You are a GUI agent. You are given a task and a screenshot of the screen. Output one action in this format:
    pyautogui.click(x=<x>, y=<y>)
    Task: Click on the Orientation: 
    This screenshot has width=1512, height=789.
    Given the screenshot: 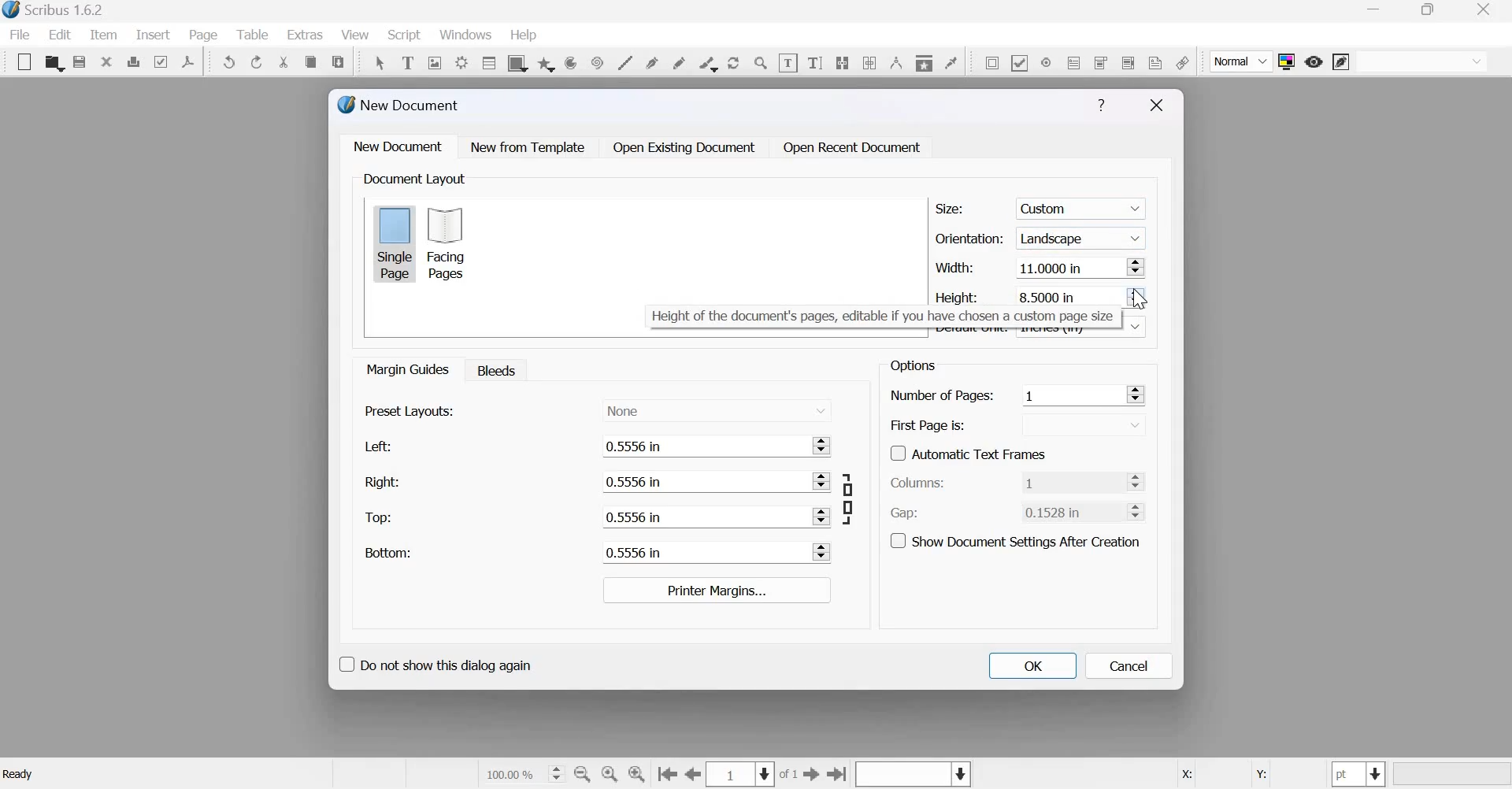 What is the action you would take?
    pyautogui.click(x=969, y=237)
    